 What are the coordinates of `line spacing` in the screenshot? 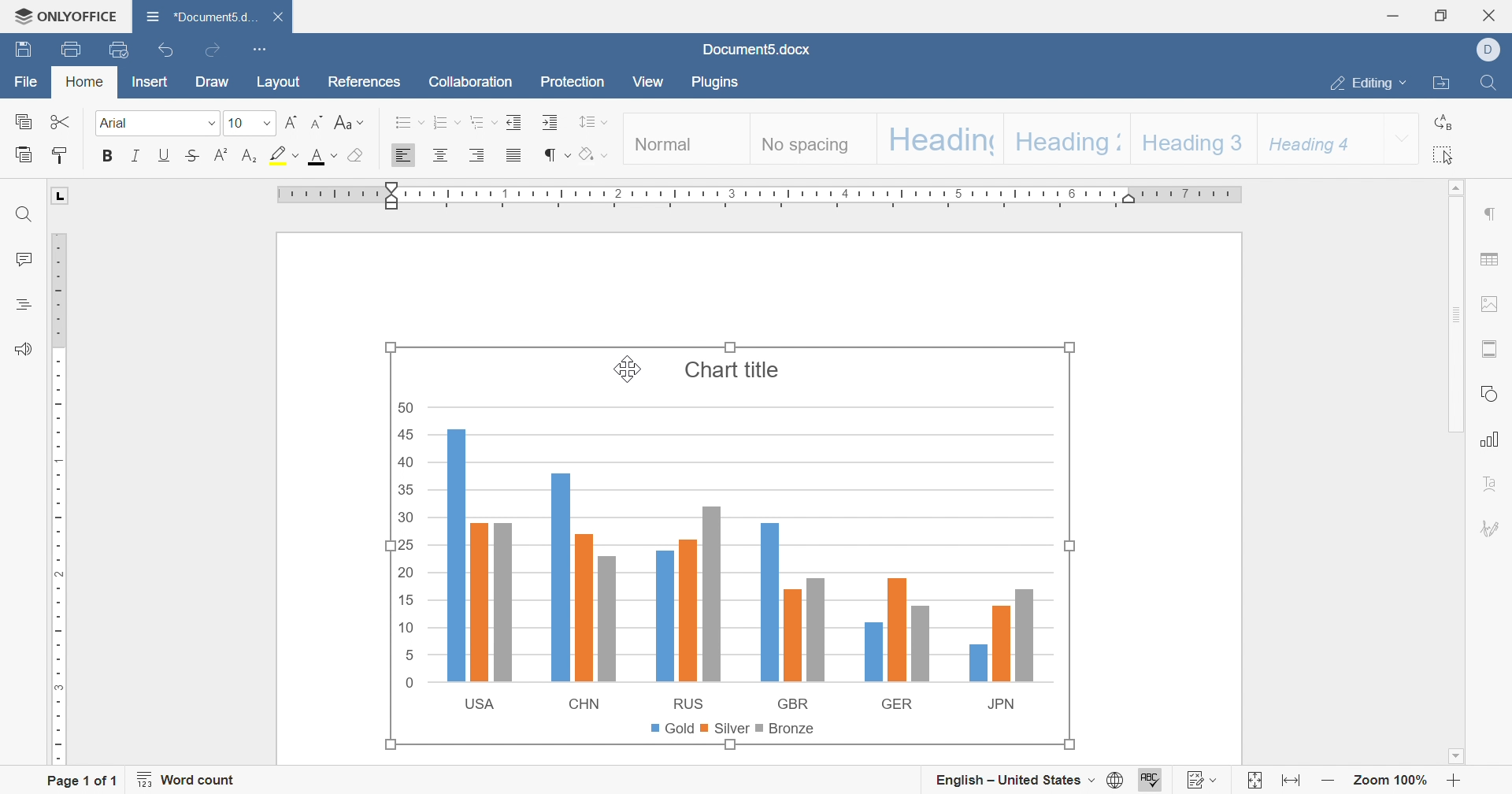 It's located at (594, 121).